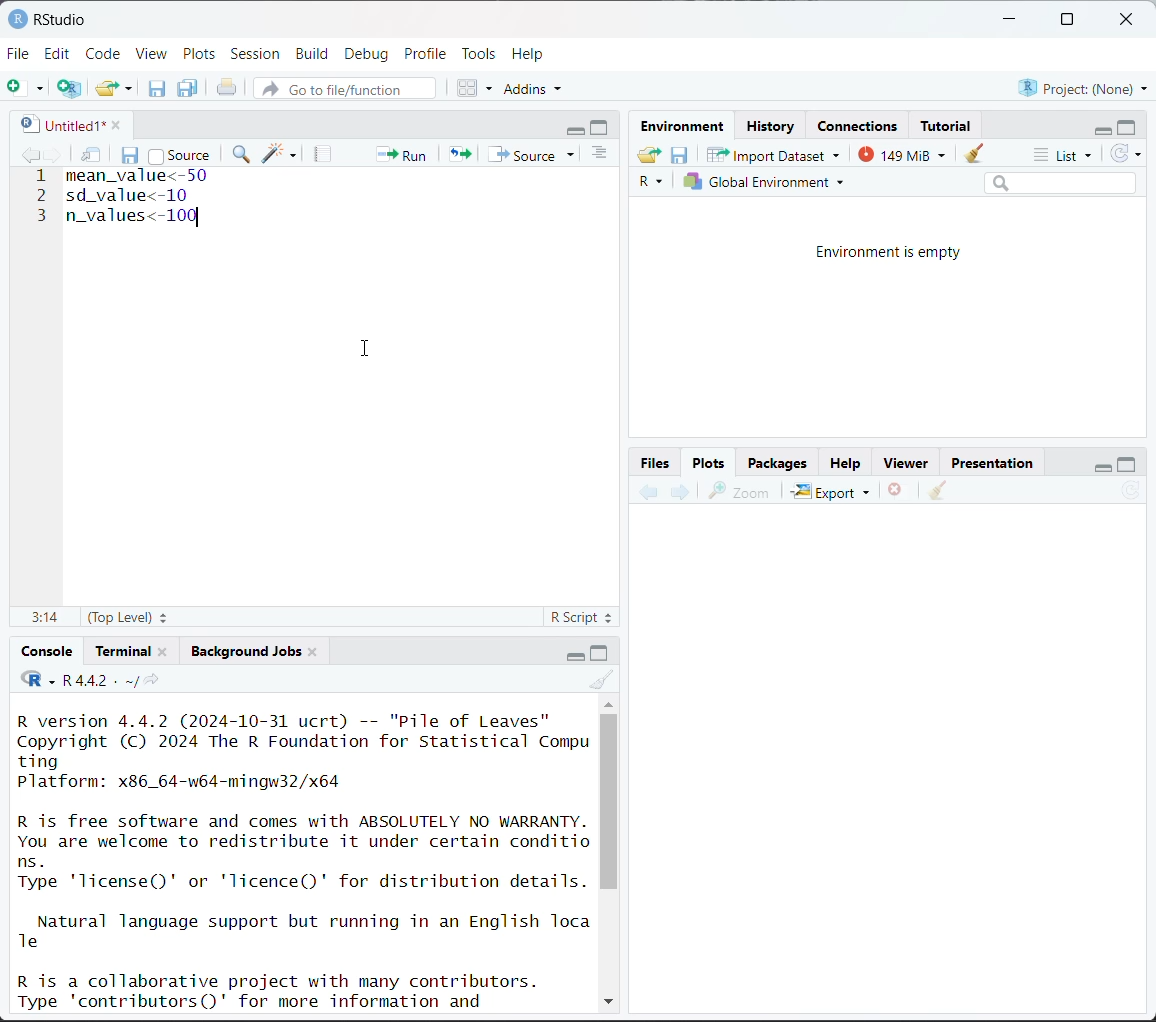 This screenshot has height=1022, width=1156. I want to click on refresh the list, so click(1126, 154).